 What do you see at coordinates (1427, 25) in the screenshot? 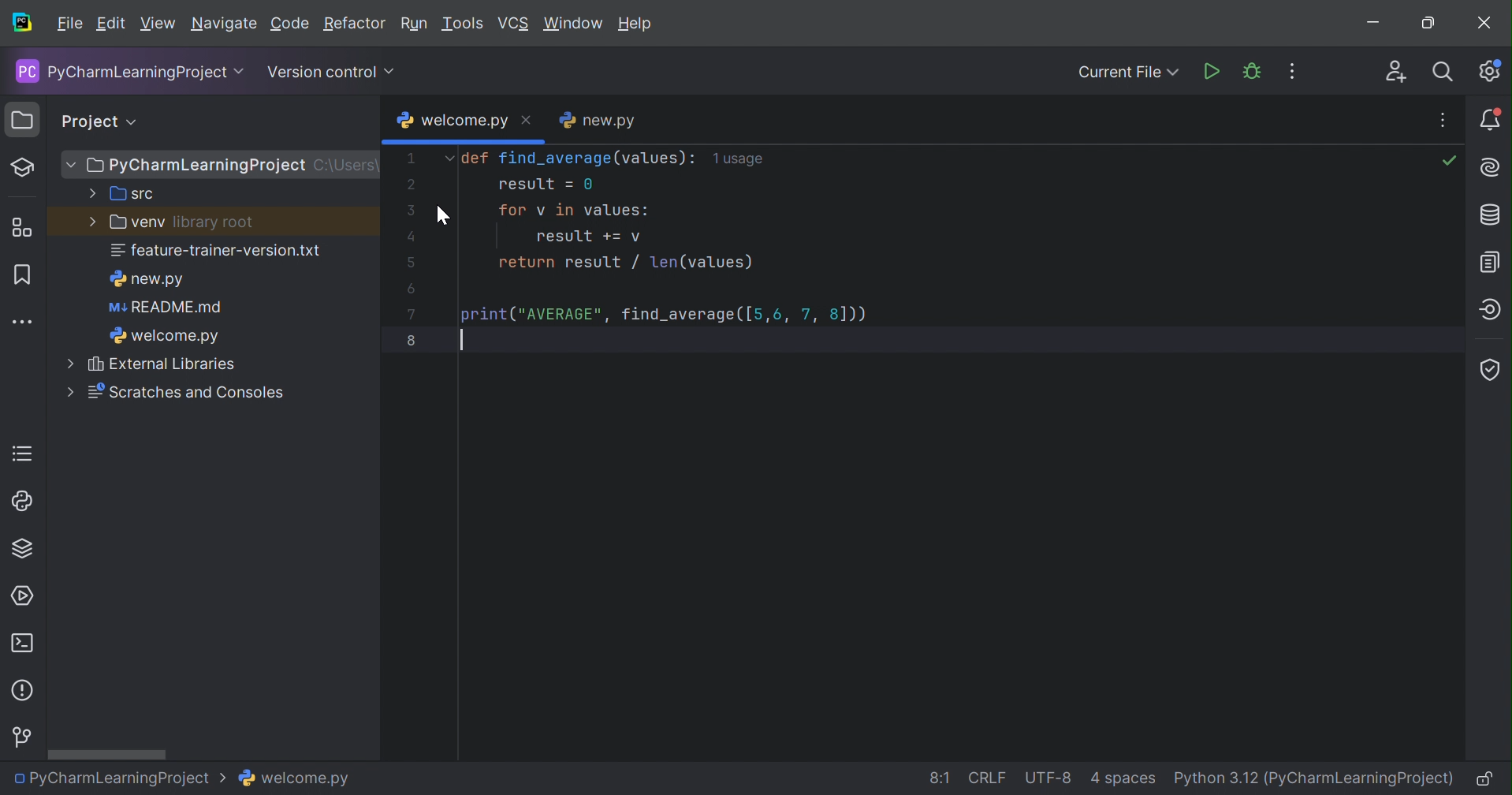
I see `Restore down` at bounding box center [1427, 25].